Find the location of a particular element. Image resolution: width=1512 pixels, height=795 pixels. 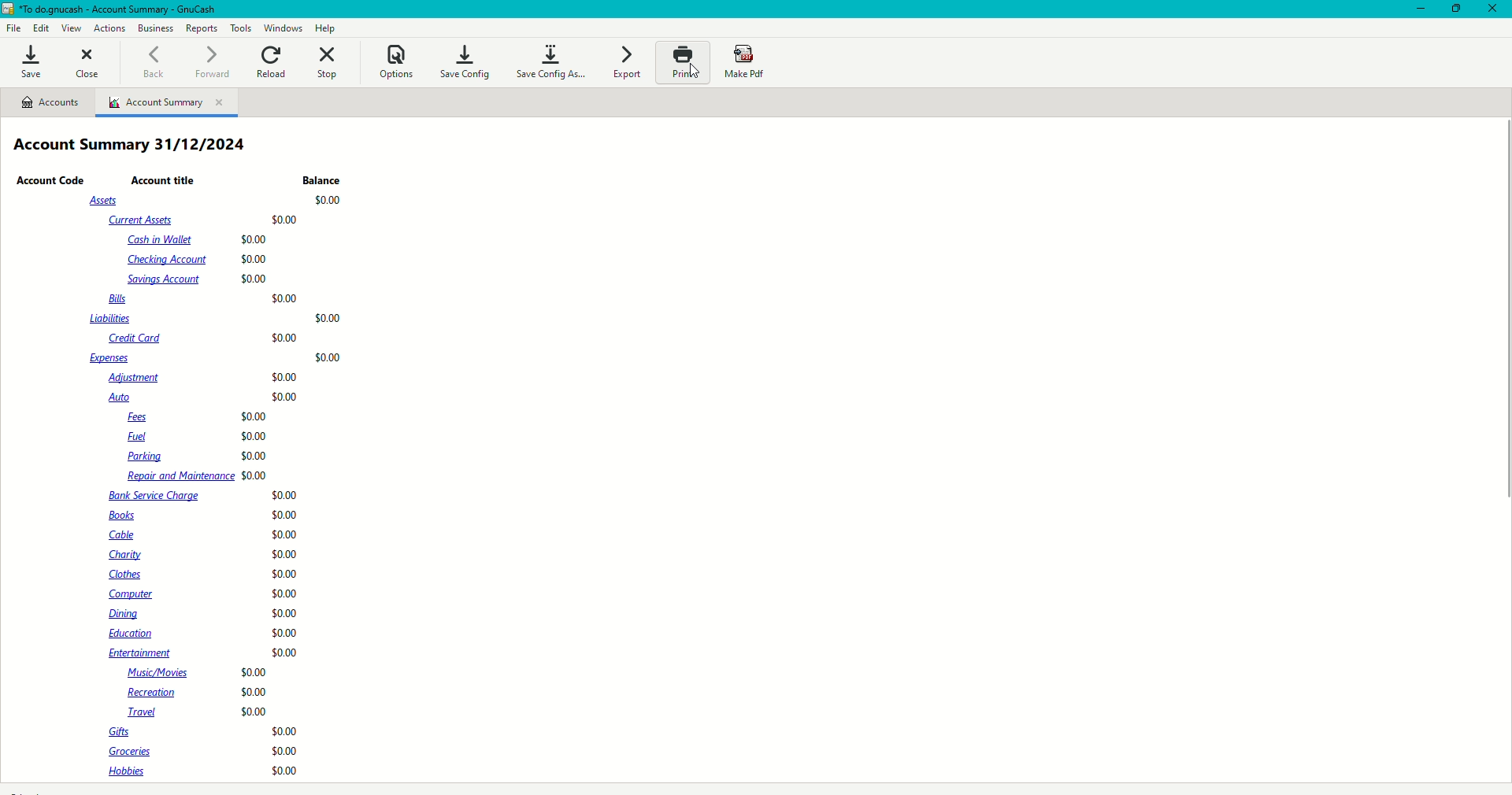

Account Title is located at coordinates (165, 179).